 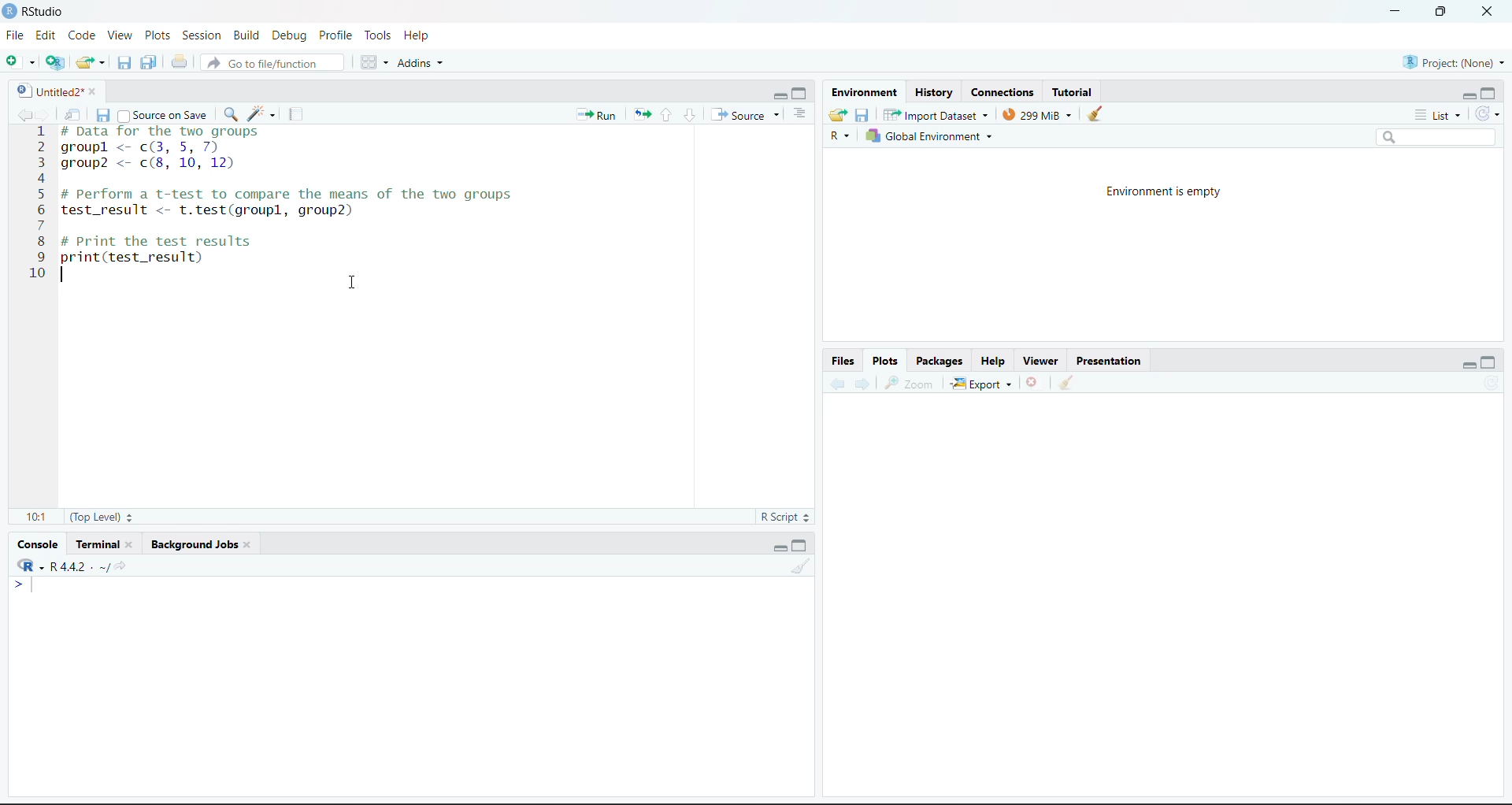 I want to click on Environment is empty, so click(x=1163, y=193).